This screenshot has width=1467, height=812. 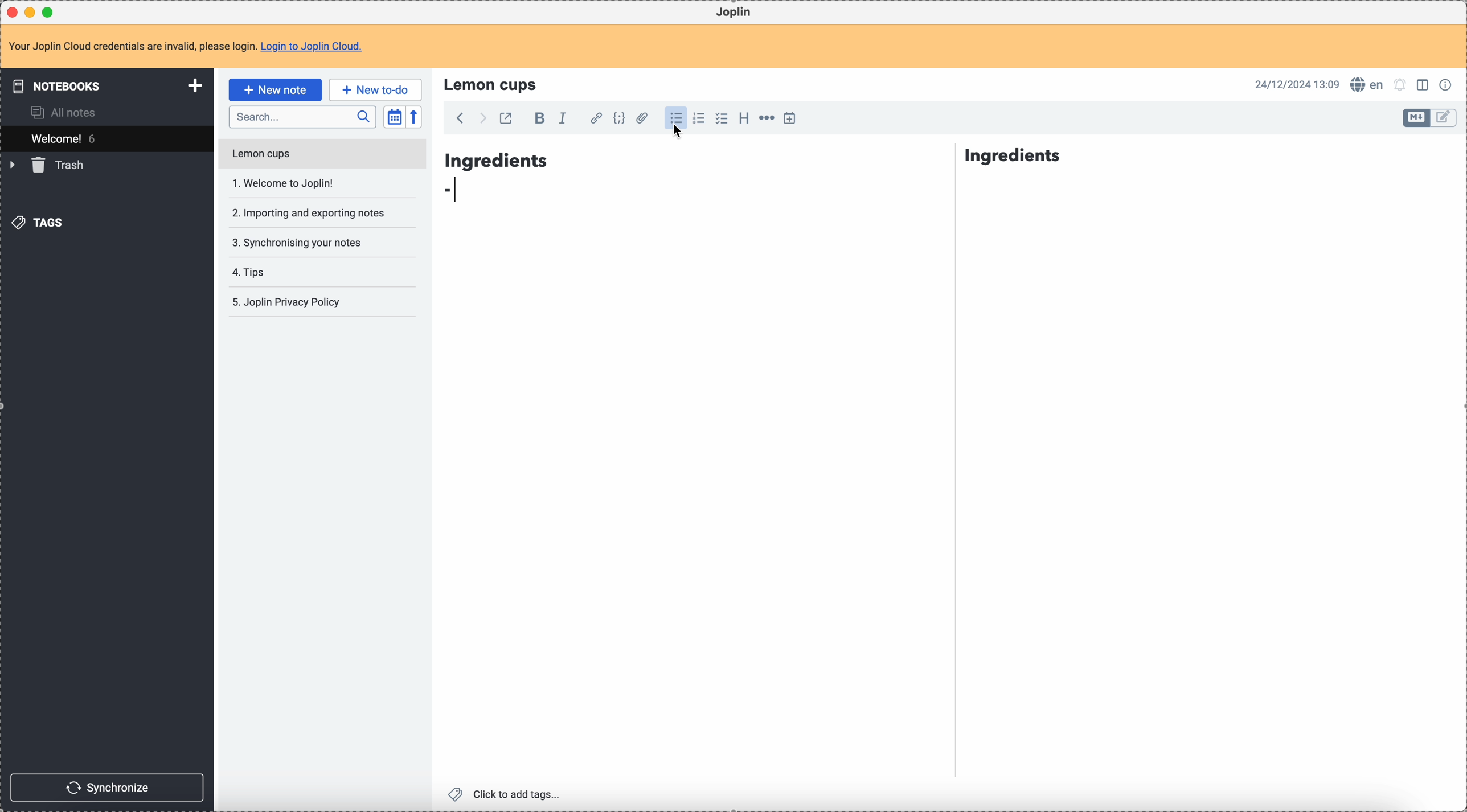 What do you see at coordinates (679, 136) in the screenshot?
I see `cursor` at bounding box center [679, 136].